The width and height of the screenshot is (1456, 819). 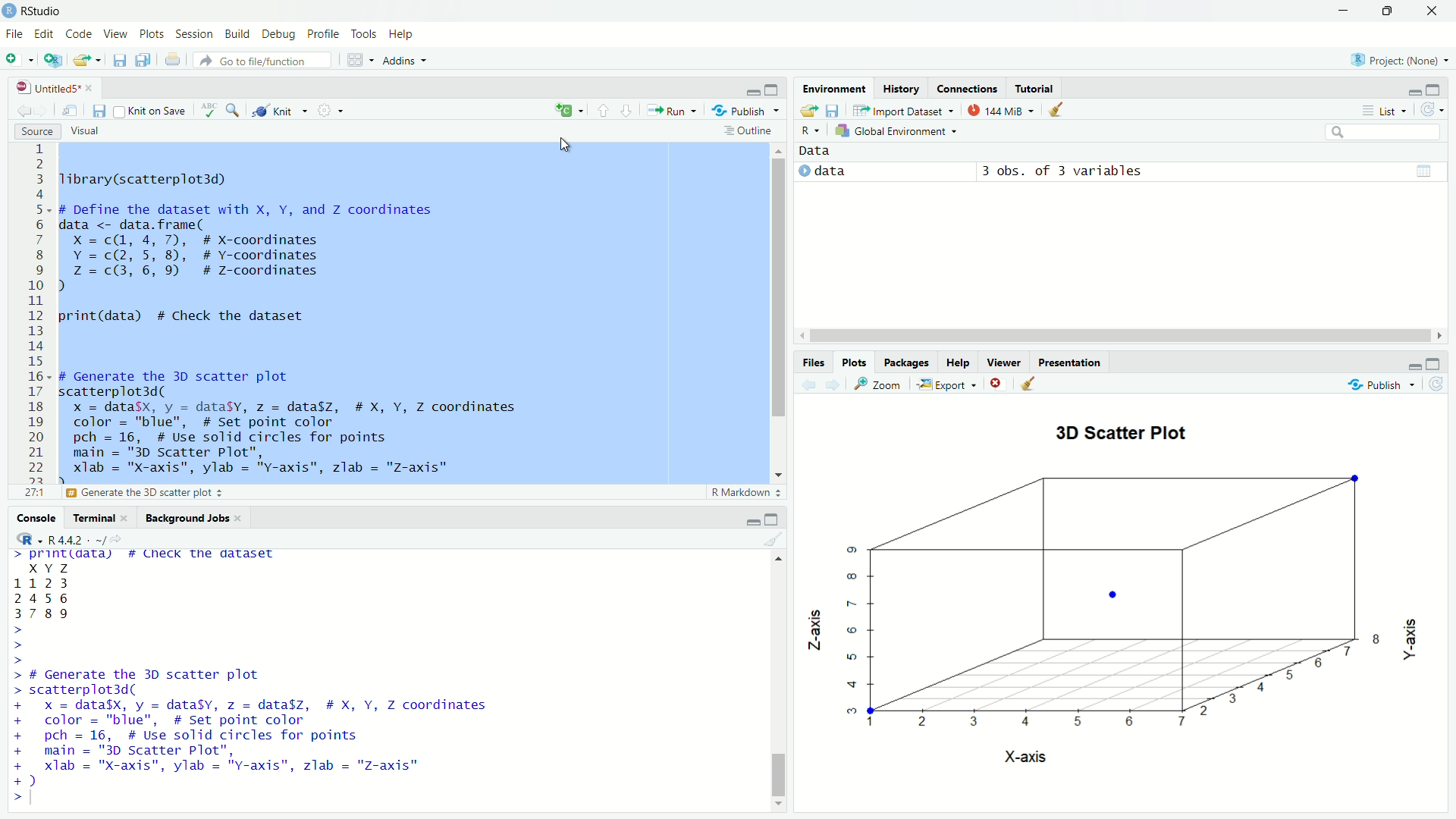 What do you see at coordinates (778, 306) in the screenshot?
I see `scrollbar` at bounding box center [778, 306].